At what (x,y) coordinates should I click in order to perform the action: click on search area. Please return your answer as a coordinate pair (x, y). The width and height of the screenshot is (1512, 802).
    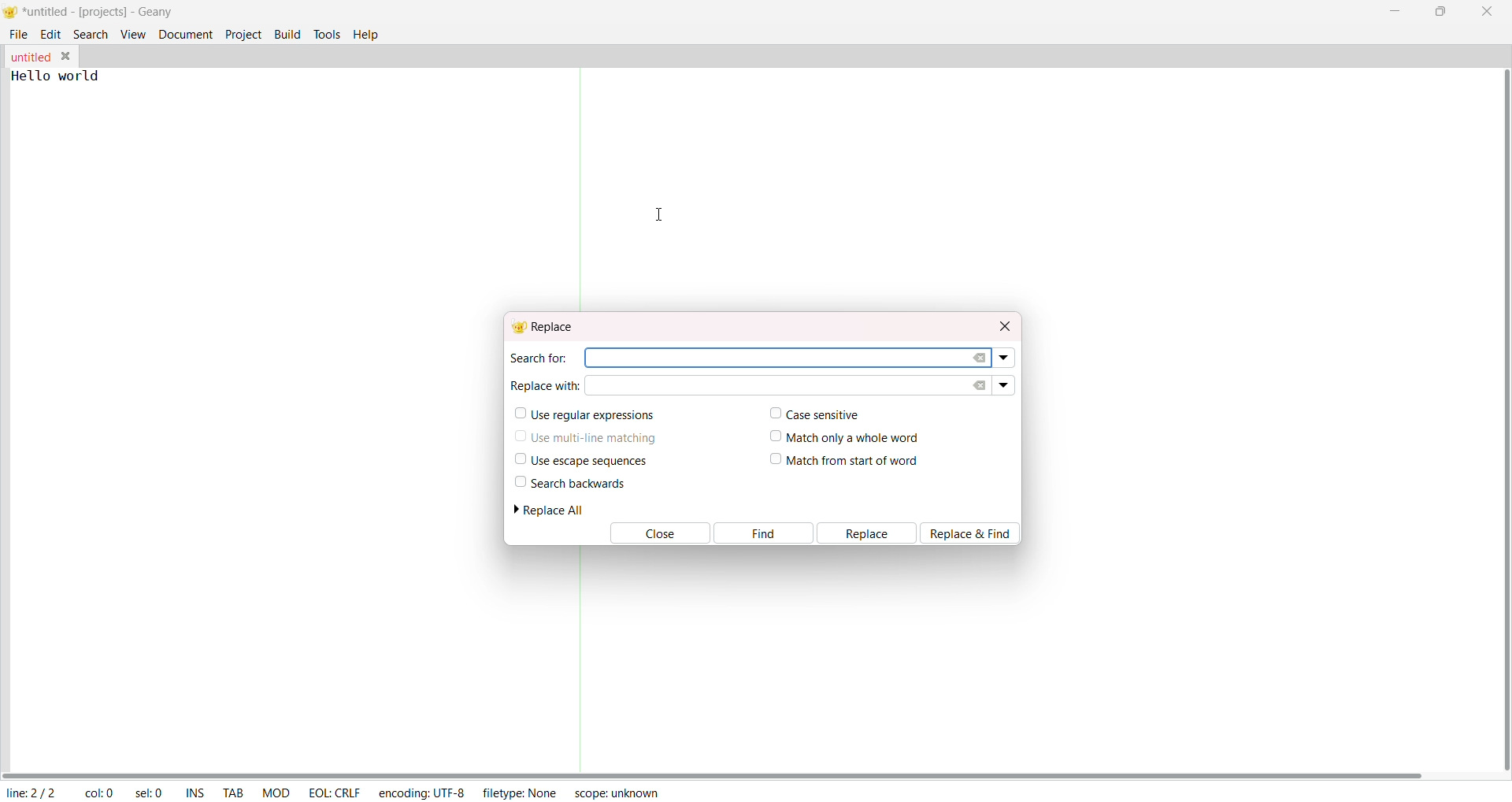
    Looking at the image, I should click on (773, 355).